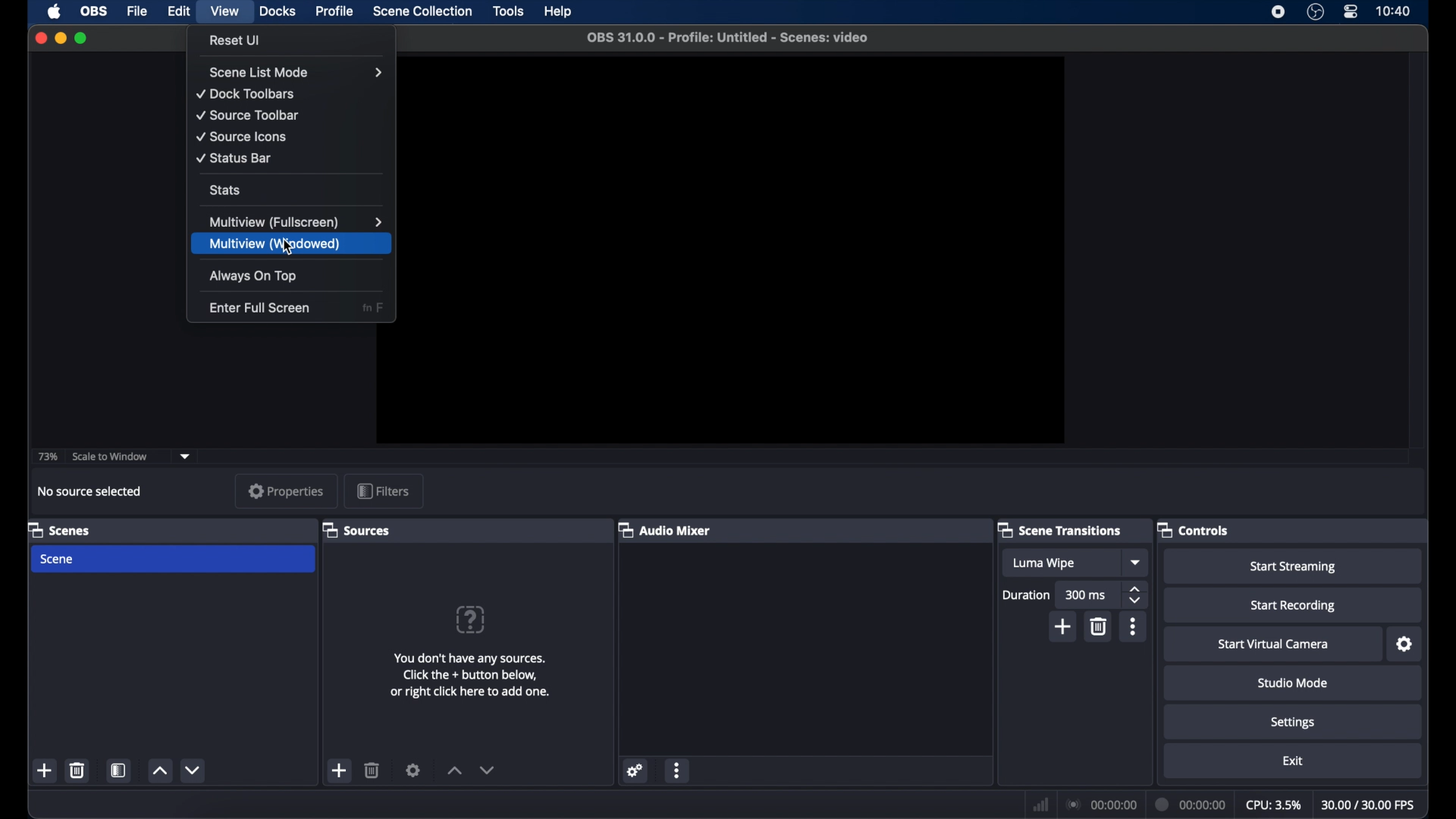 The width and height of the screenshot is (1456, 819). Describe the element at coordinates (192, 770) in the screenshot. I see `decrement` at that location.